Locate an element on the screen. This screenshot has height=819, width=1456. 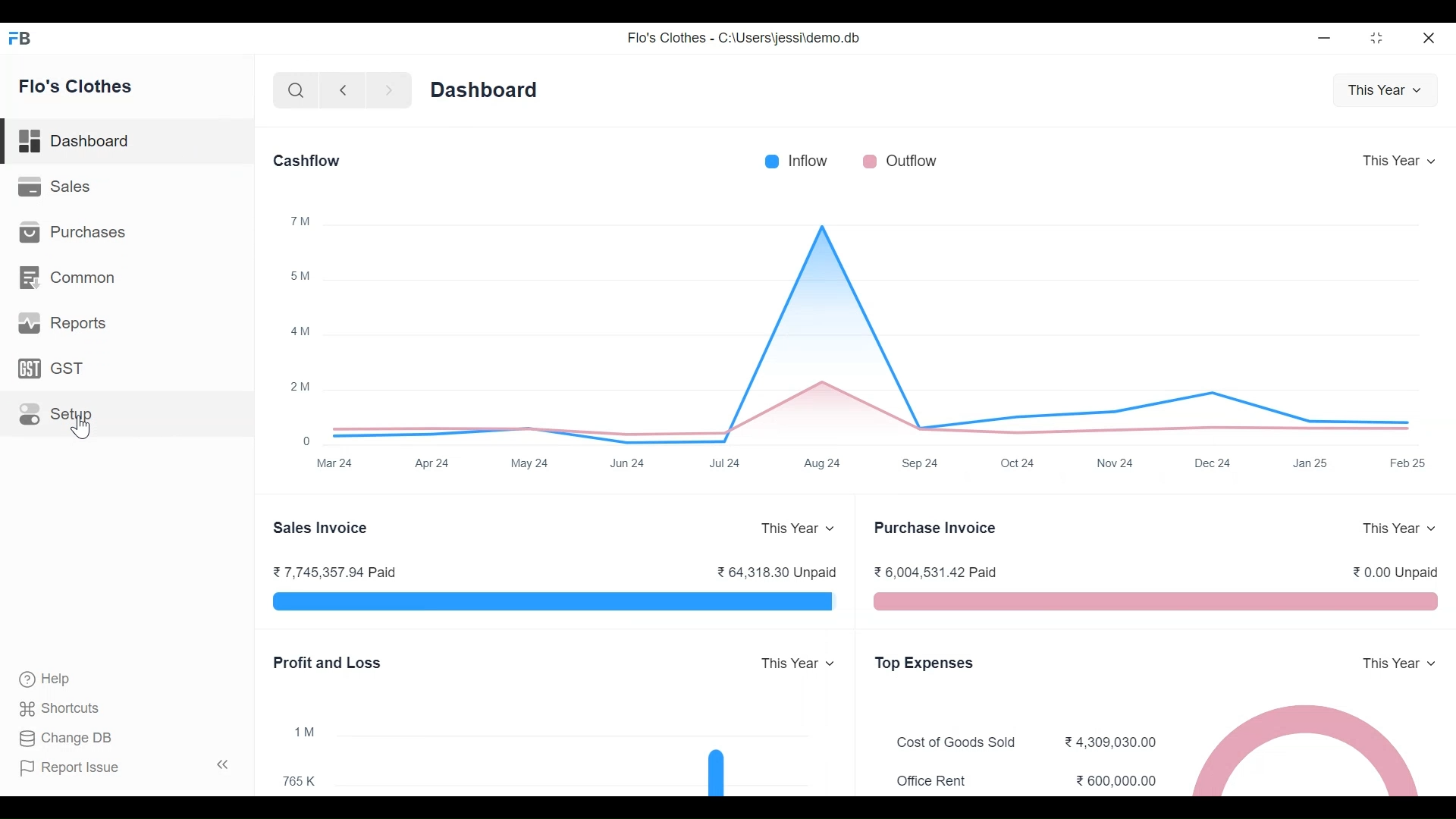
sales invoice is located at coordinates (322, 529).